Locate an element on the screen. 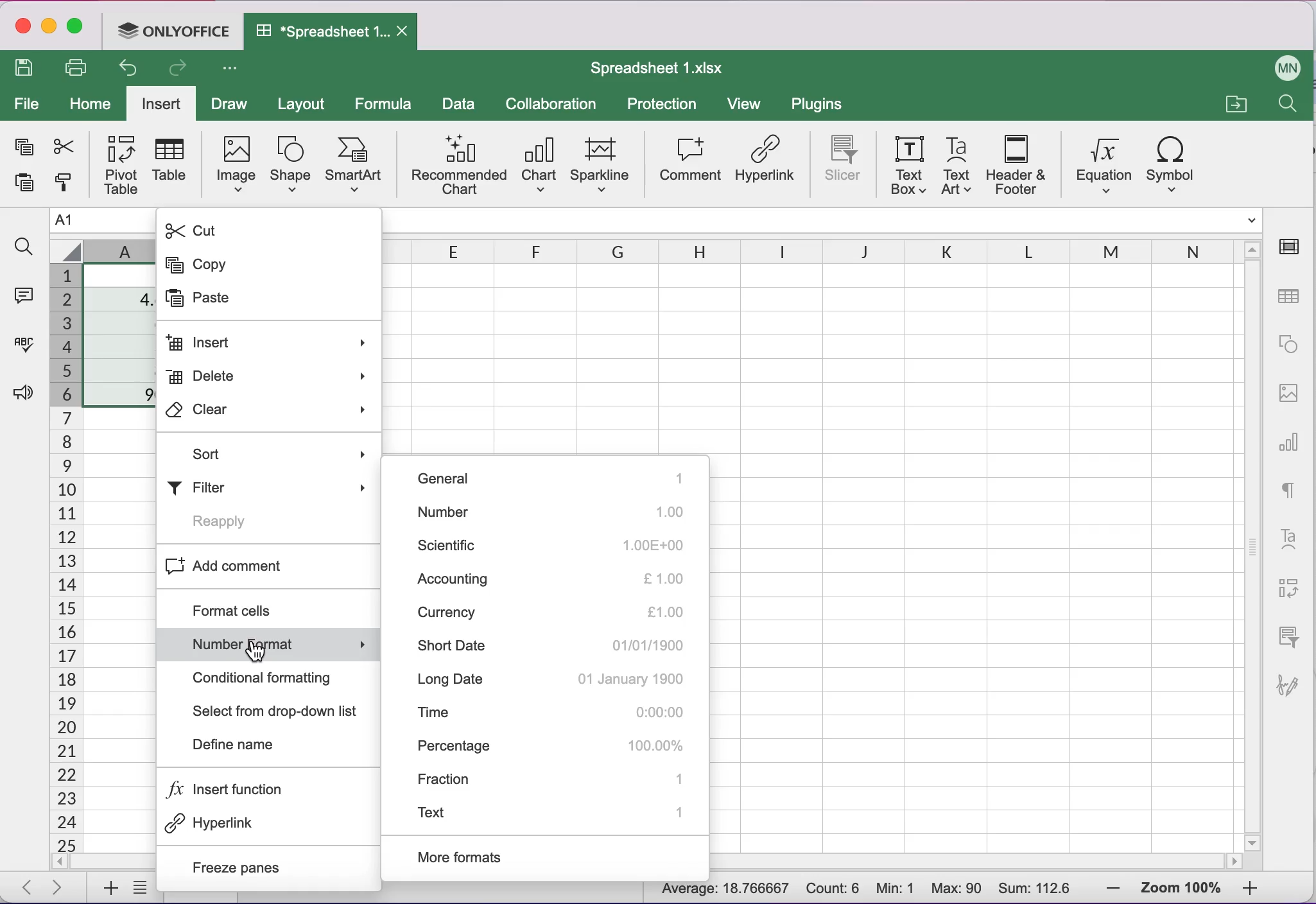 The height and width of the screenshot is (904, 1316). comment is located at coordinates (689, 164).